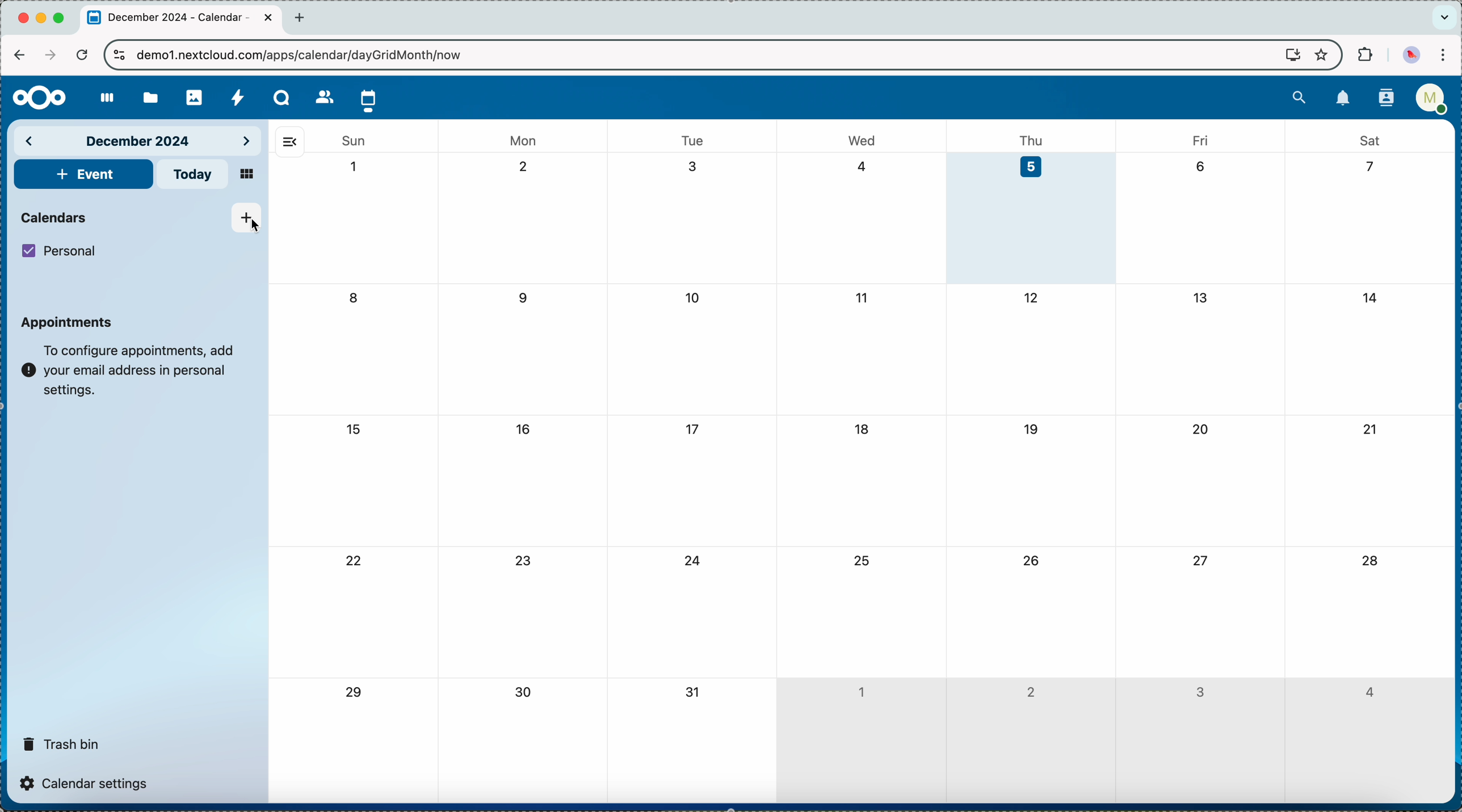 The height and width of the screenshot is (812, 1462). Describe the element at coordinates (527, 694) in the screenshot. I see `30` at that location.